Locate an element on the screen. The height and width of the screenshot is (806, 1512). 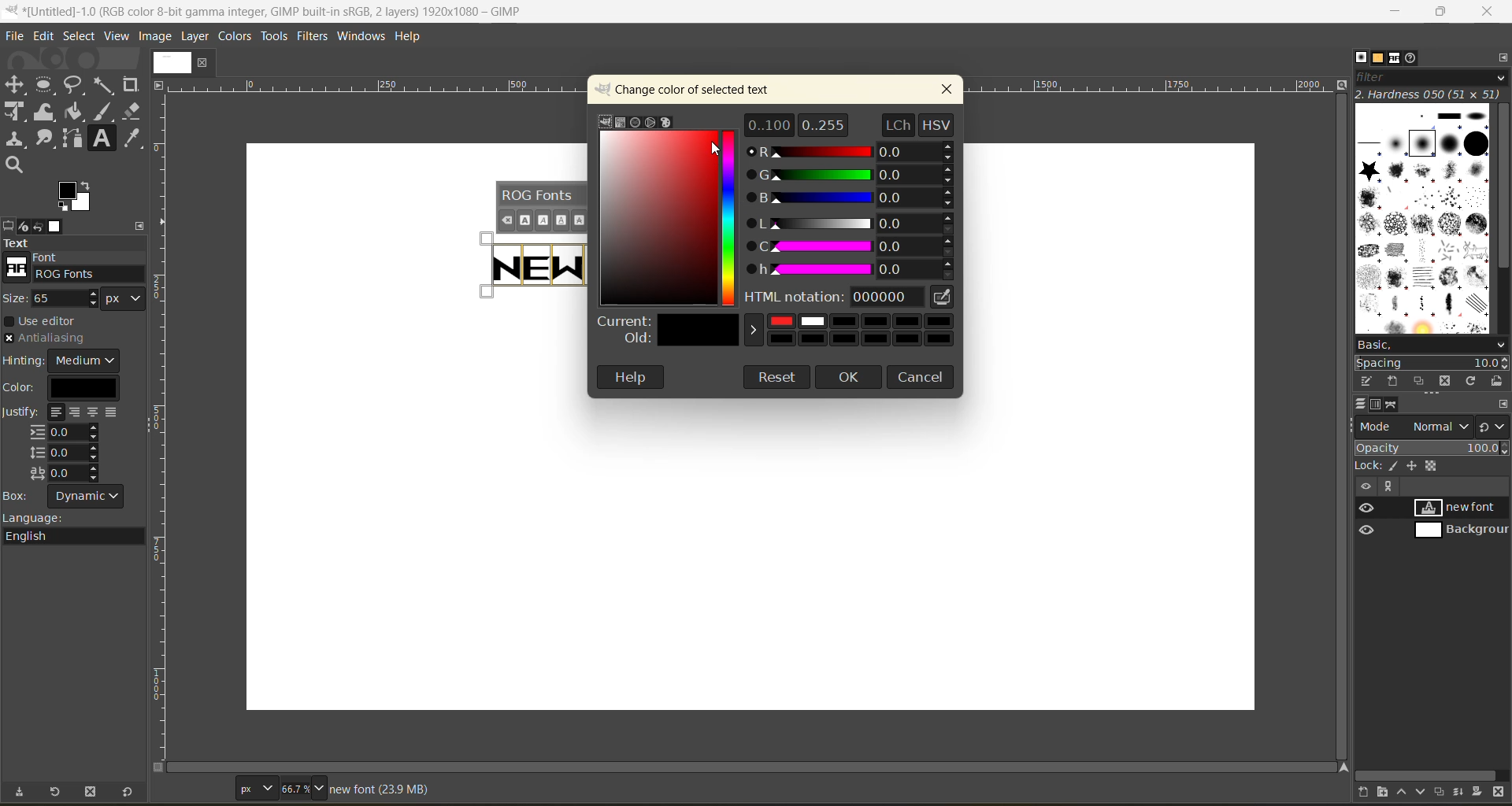
current color schemes is located at coordinates (779, 322).